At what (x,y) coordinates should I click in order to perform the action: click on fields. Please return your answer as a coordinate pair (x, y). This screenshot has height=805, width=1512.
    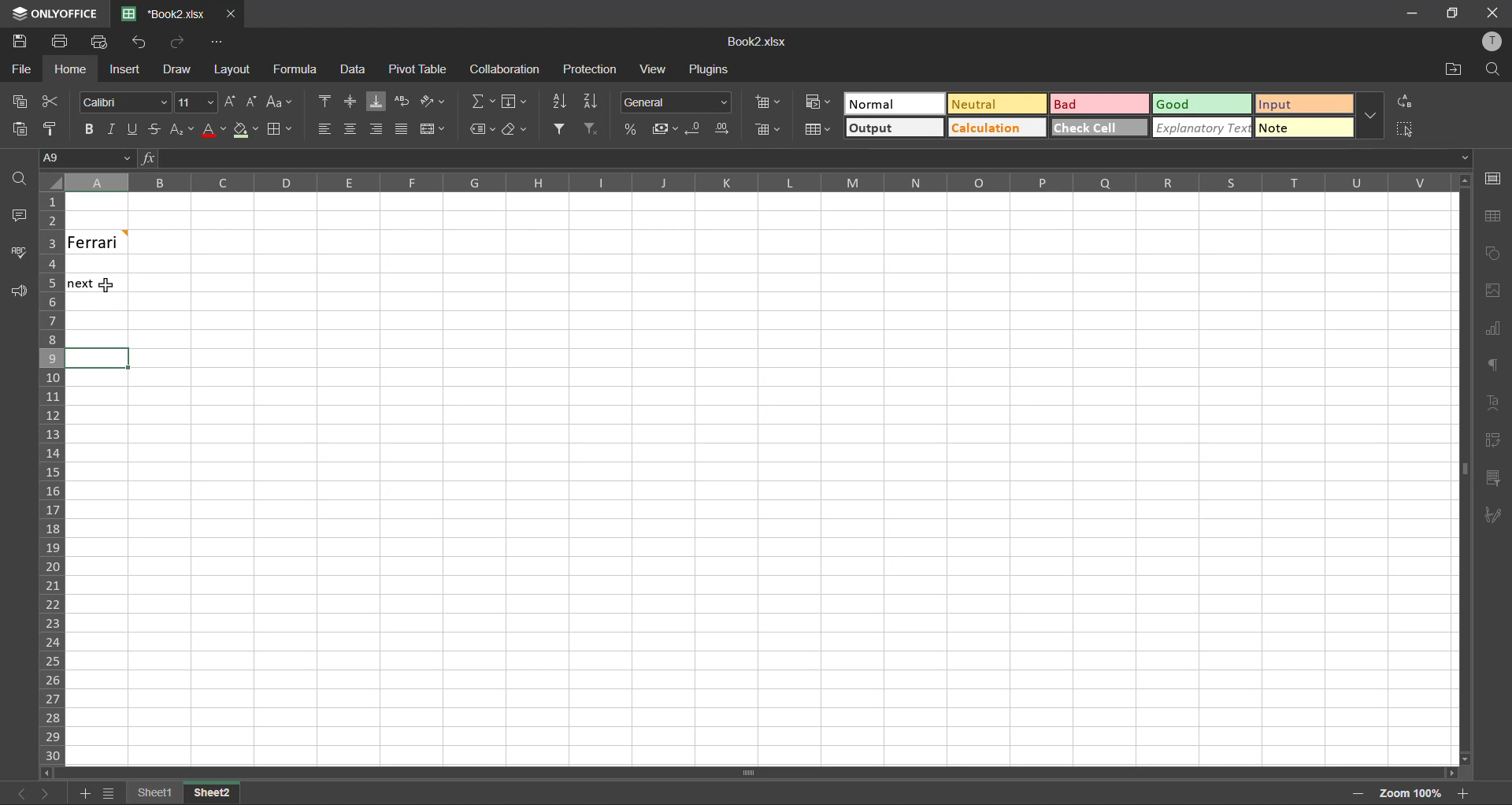
    Looking at the image, I should click on (514, 102).